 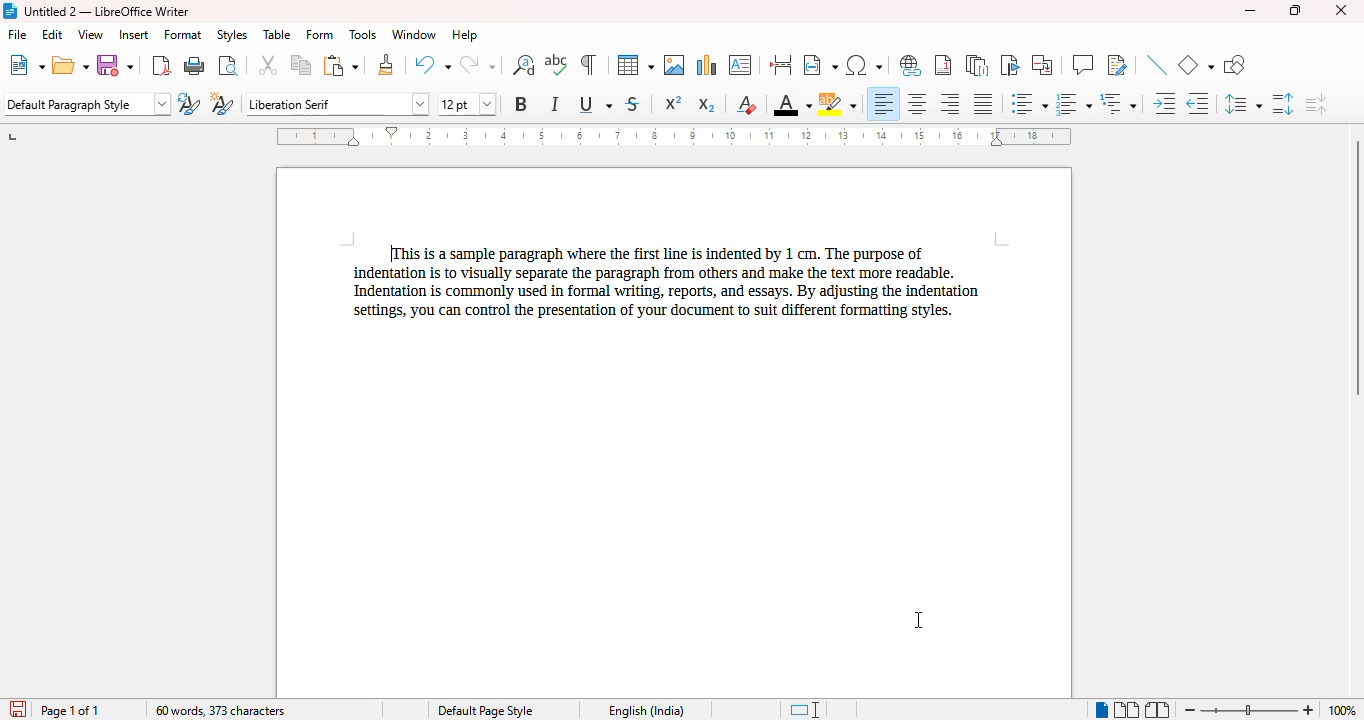 What do you see at coordinates (486, 710) in the screenshot?
I see `page style` at bounding box center [486, 710].